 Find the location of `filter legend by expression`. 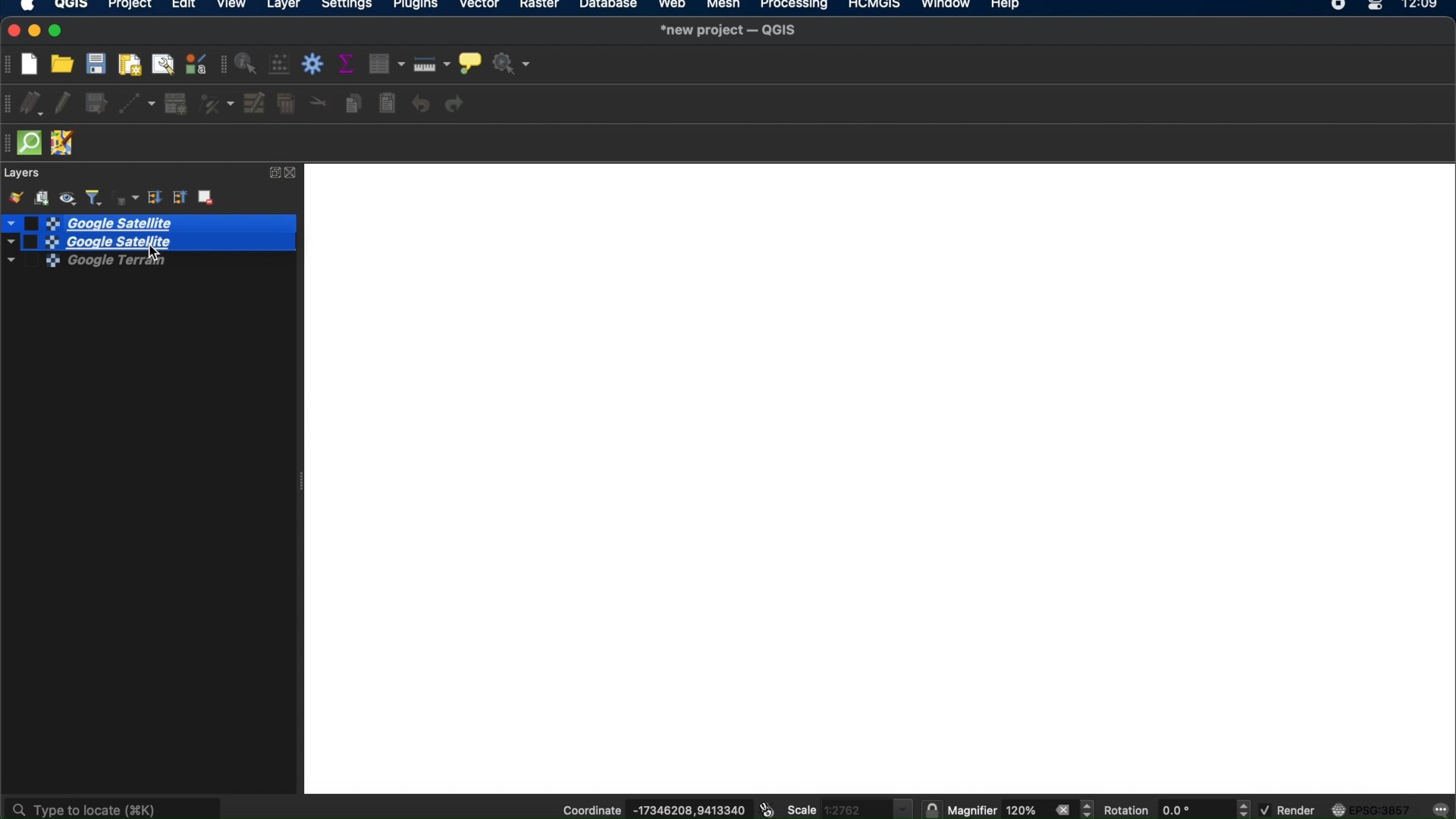

filter legend by expression is located at coordinates (124, 196).